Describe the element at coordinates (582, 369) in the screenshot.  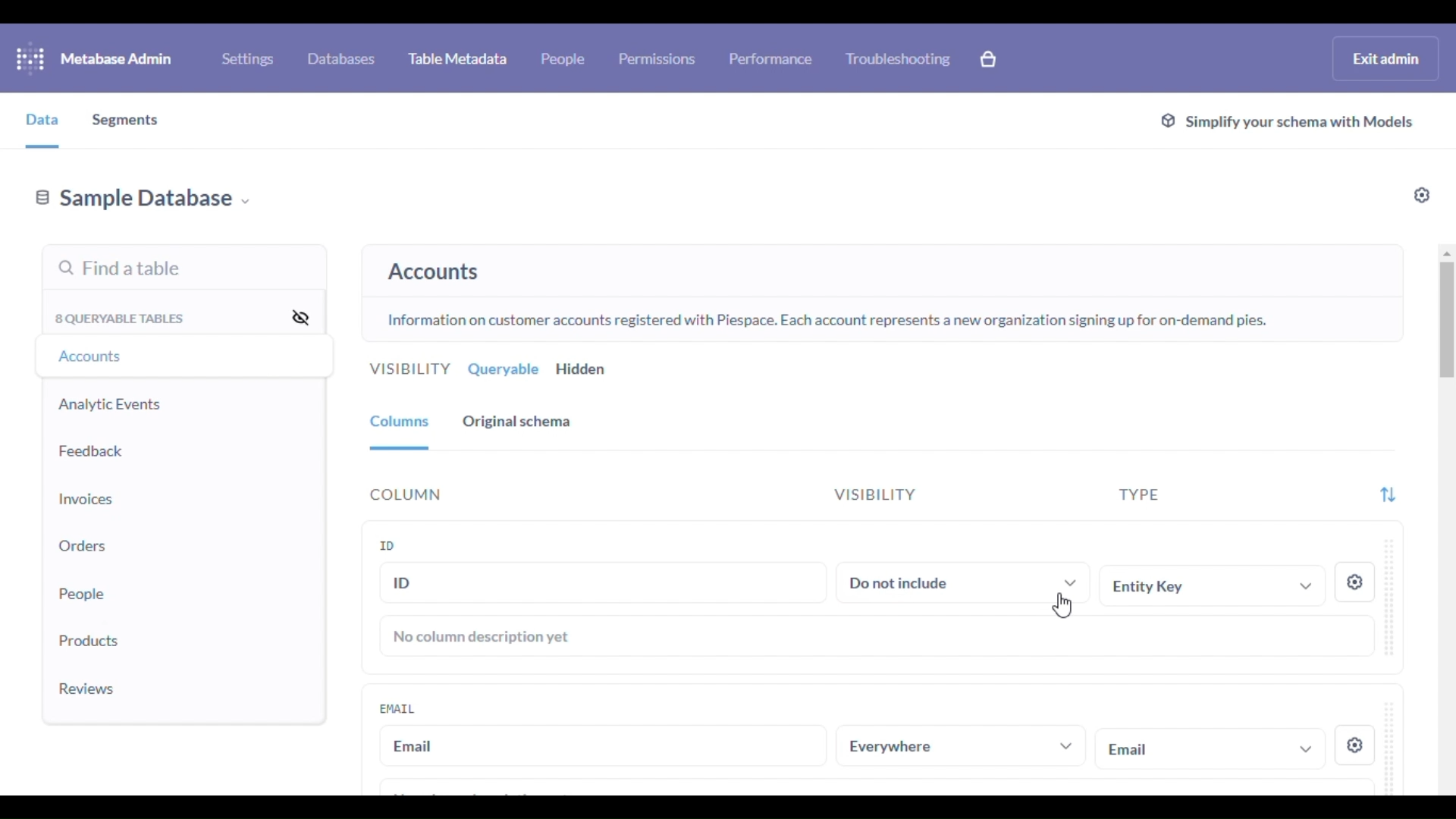
I see `hidden` at that location.